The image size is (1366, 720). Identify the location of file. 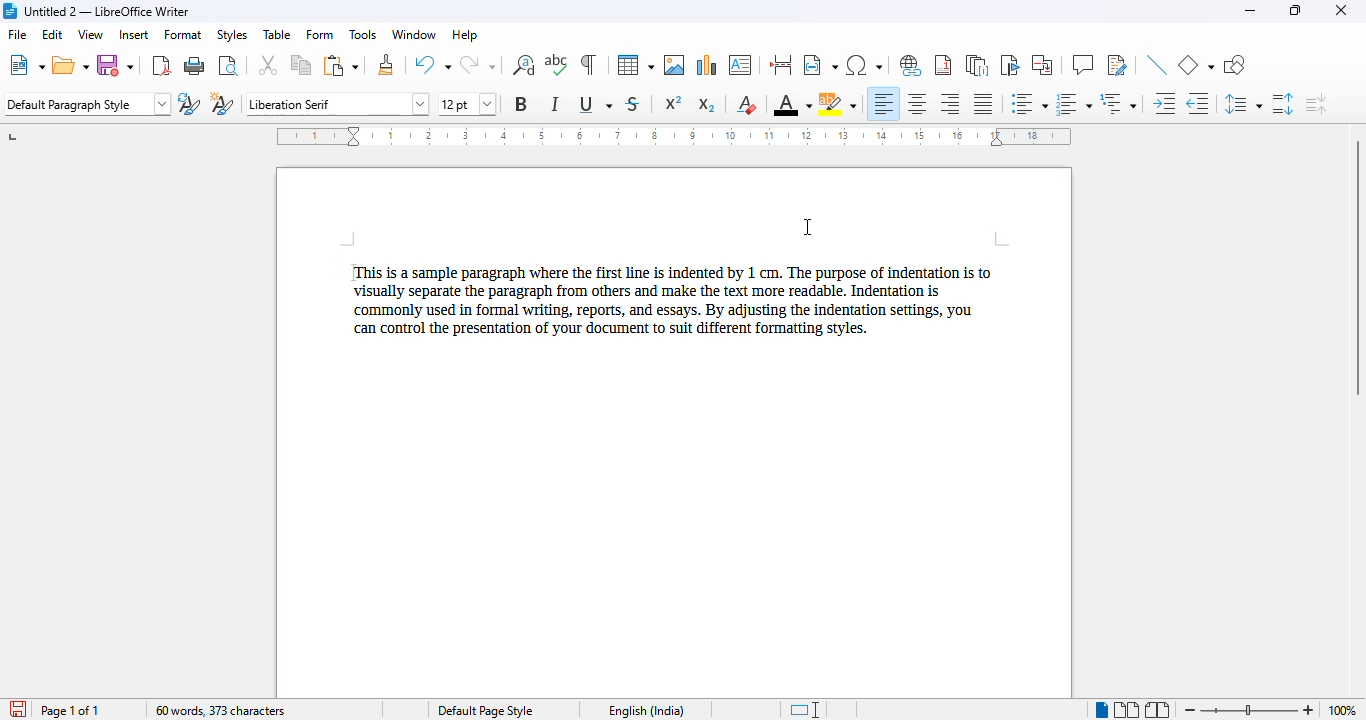
(16, 33).